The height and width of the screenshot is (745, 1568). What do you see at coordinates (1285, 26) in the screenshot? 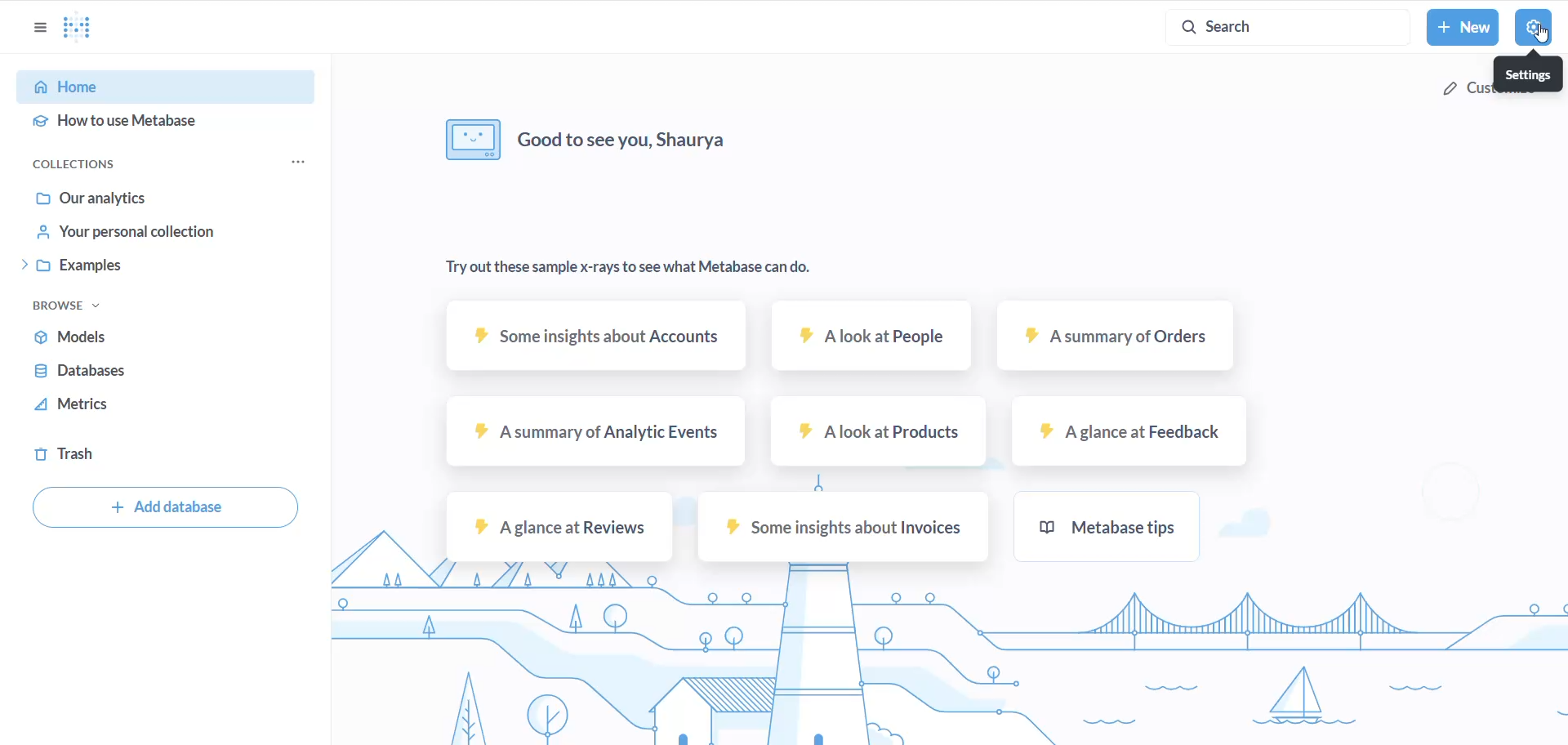
I see `search button` at bounding box center [1285, 26].